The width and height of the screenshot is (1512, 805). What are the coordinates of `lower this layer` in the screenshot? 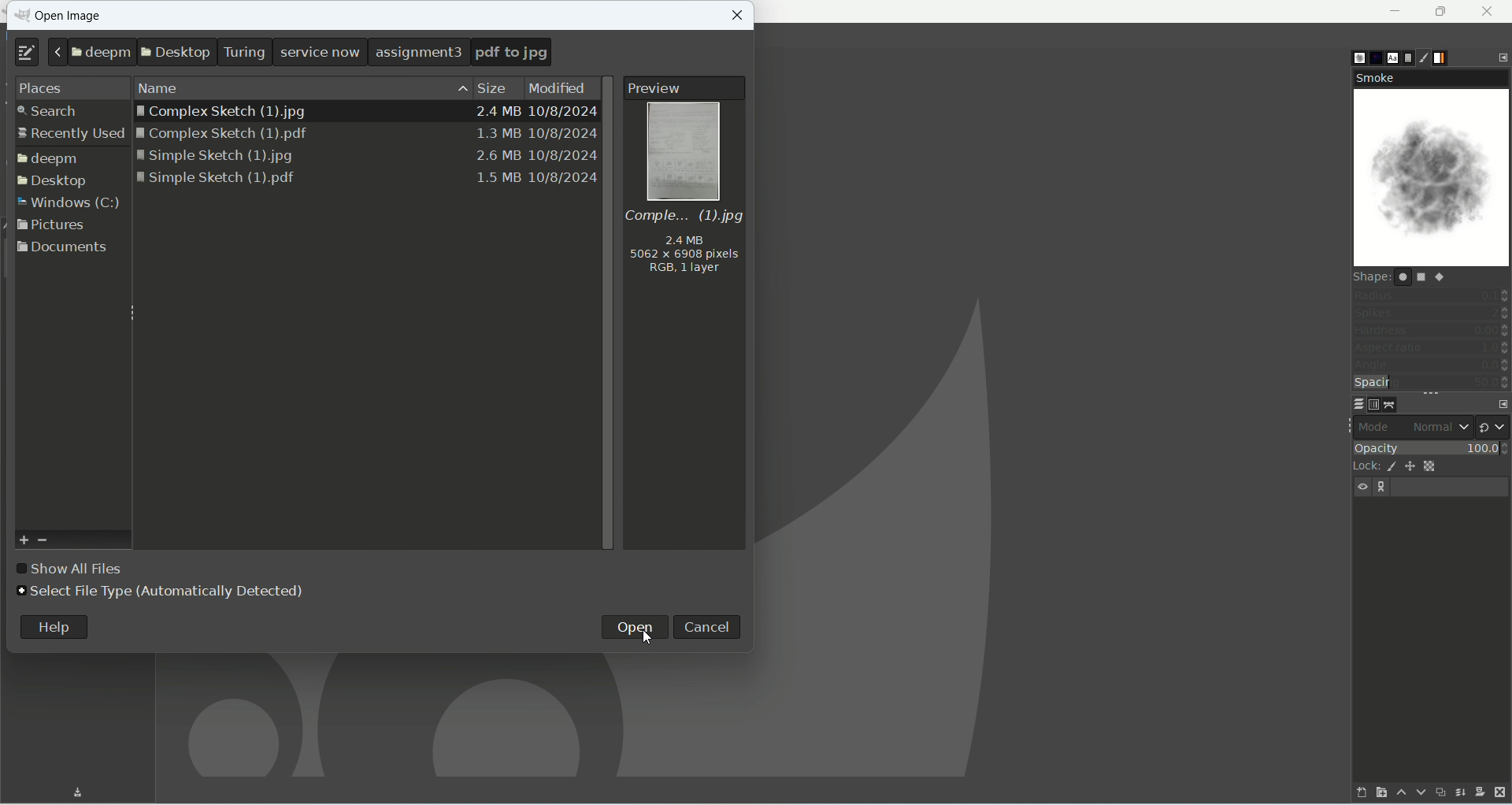 It's located at (1421, 793).